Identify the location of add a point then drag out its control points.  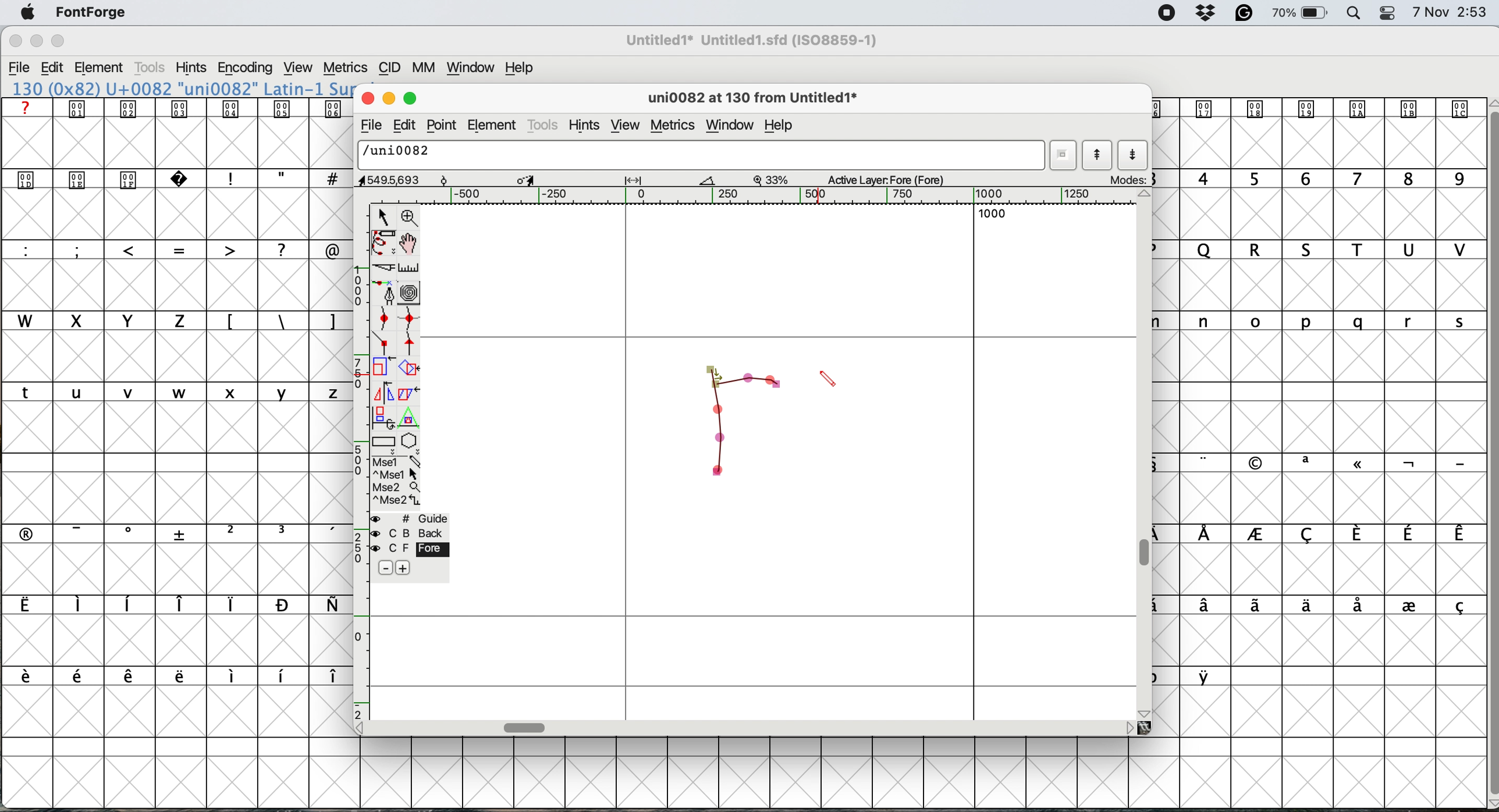
(385, 294).